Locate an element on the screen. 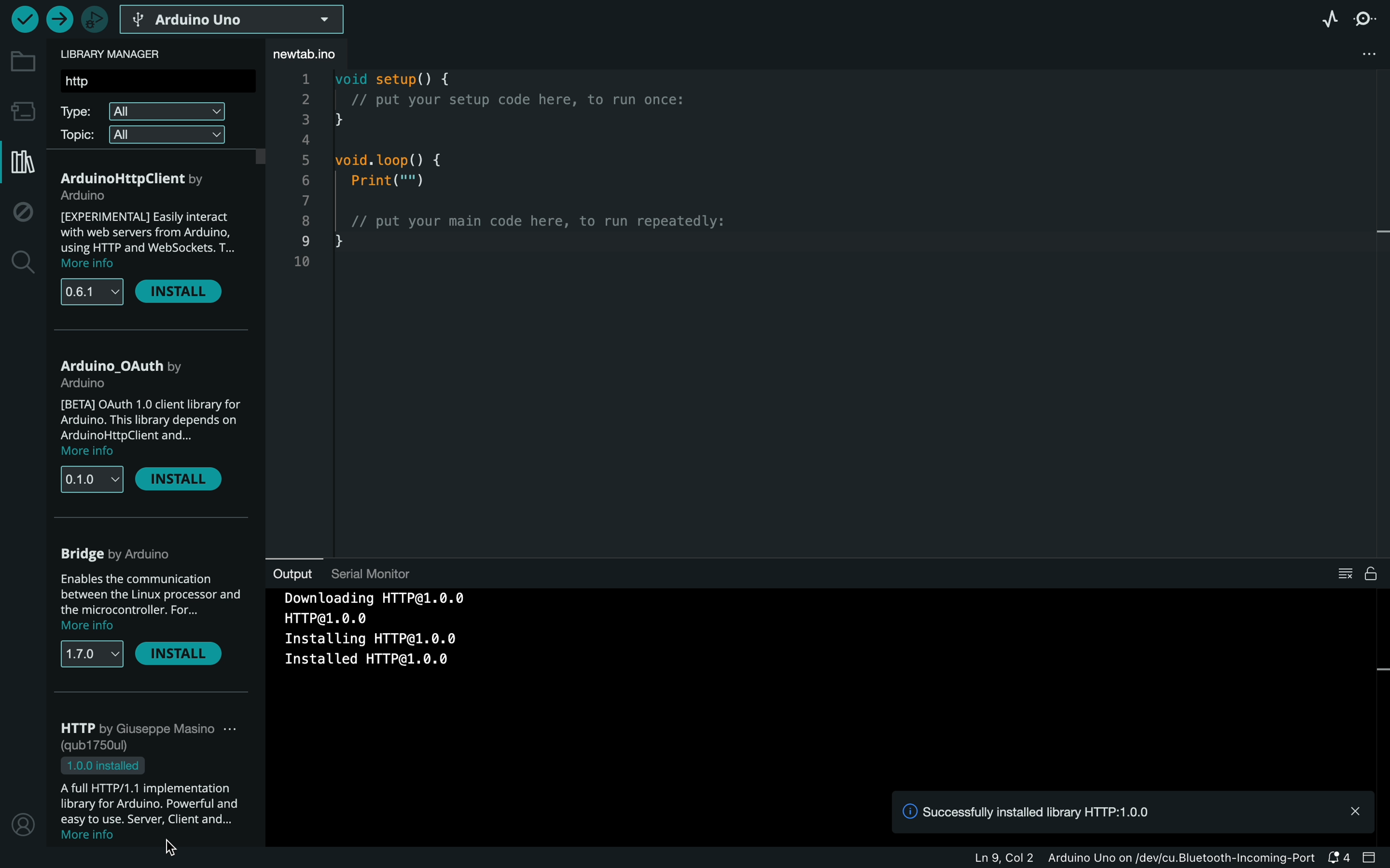 Image resolution: width=1390 pixels, height=868 pixels. alpc opta is located at coordinates (135, 178).